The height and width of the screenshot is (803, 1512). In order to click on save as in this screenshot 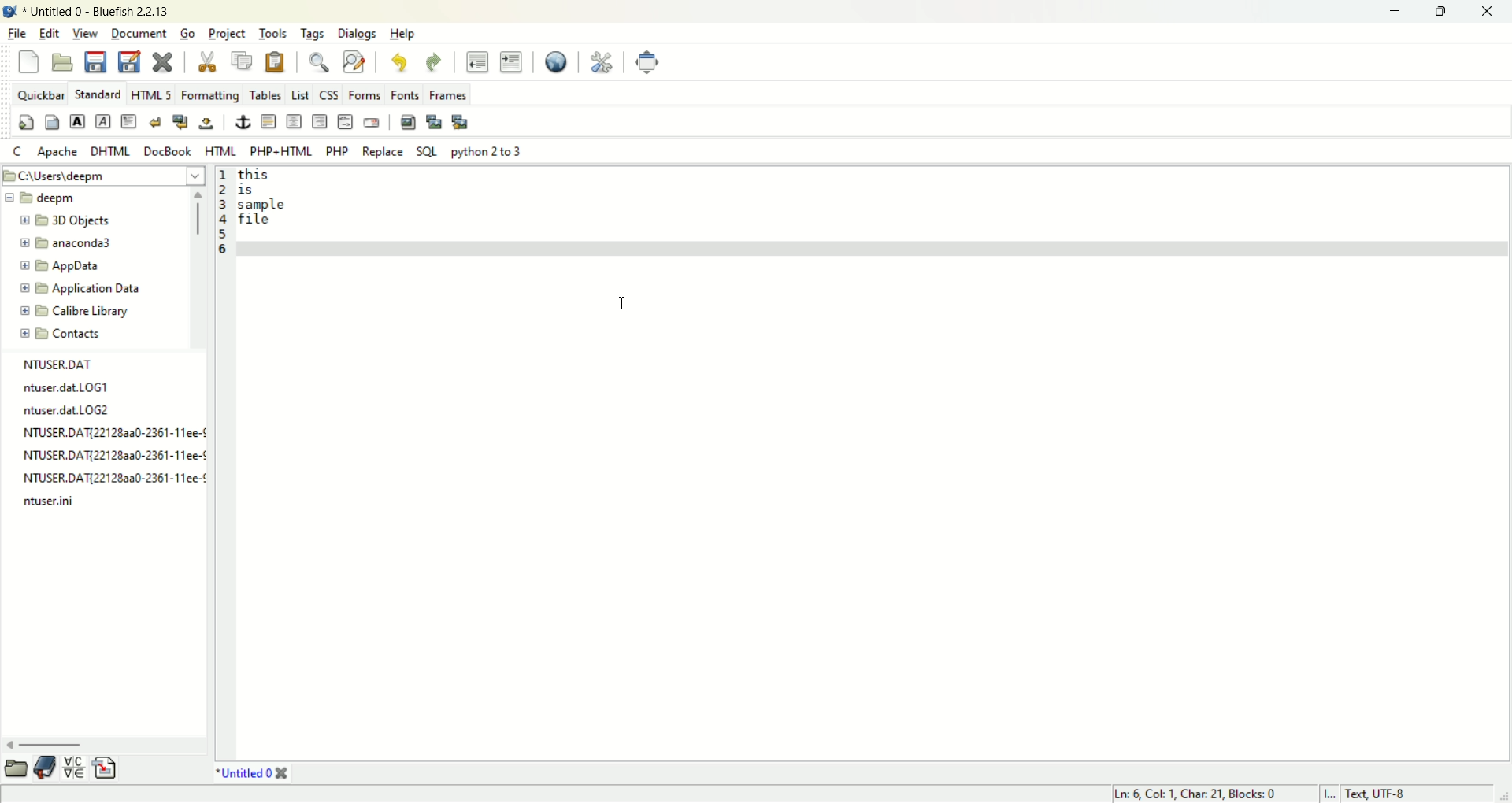, I will do `click(133, 61)`.